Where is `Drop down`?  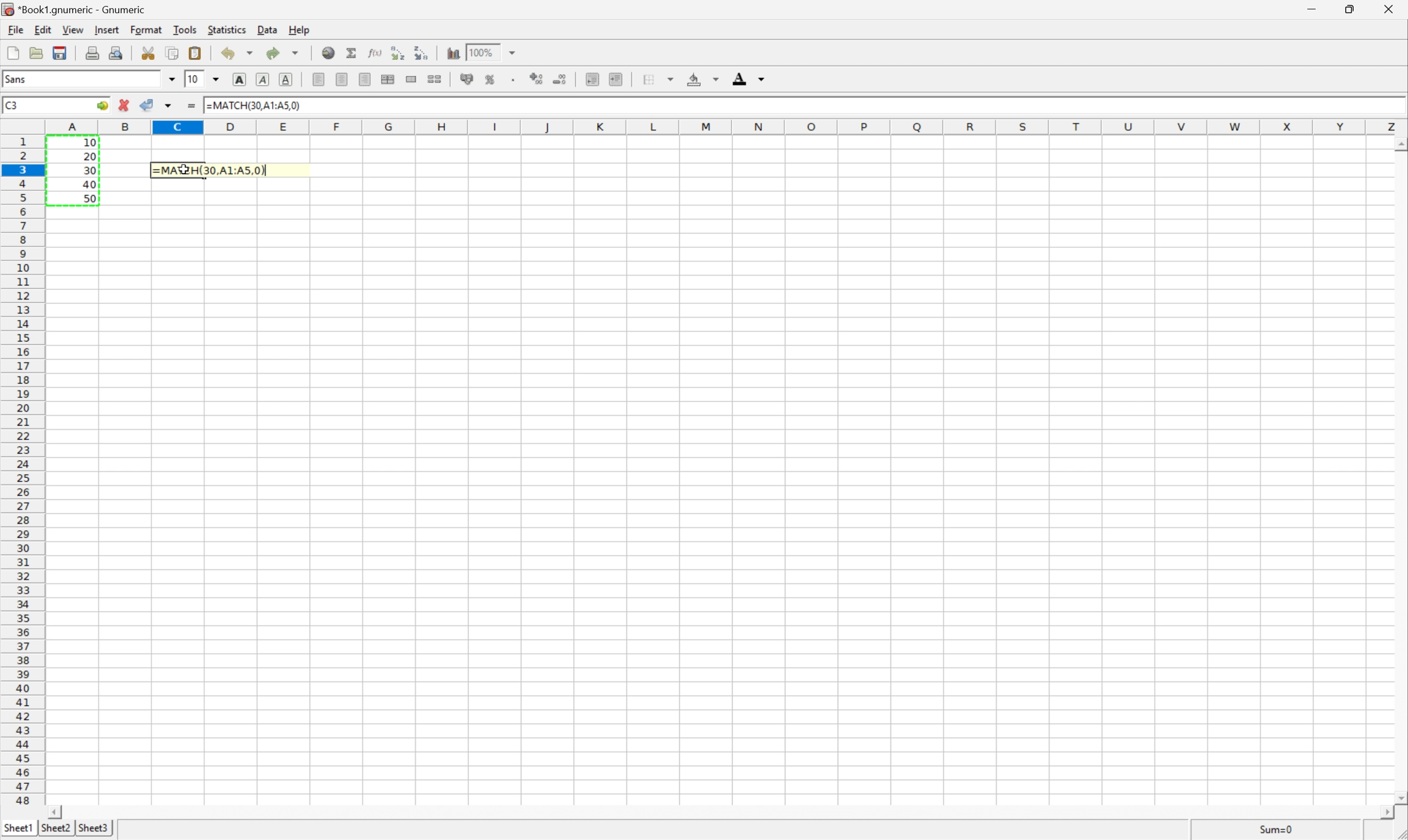 Drop down is located at coordinates (295, 54).